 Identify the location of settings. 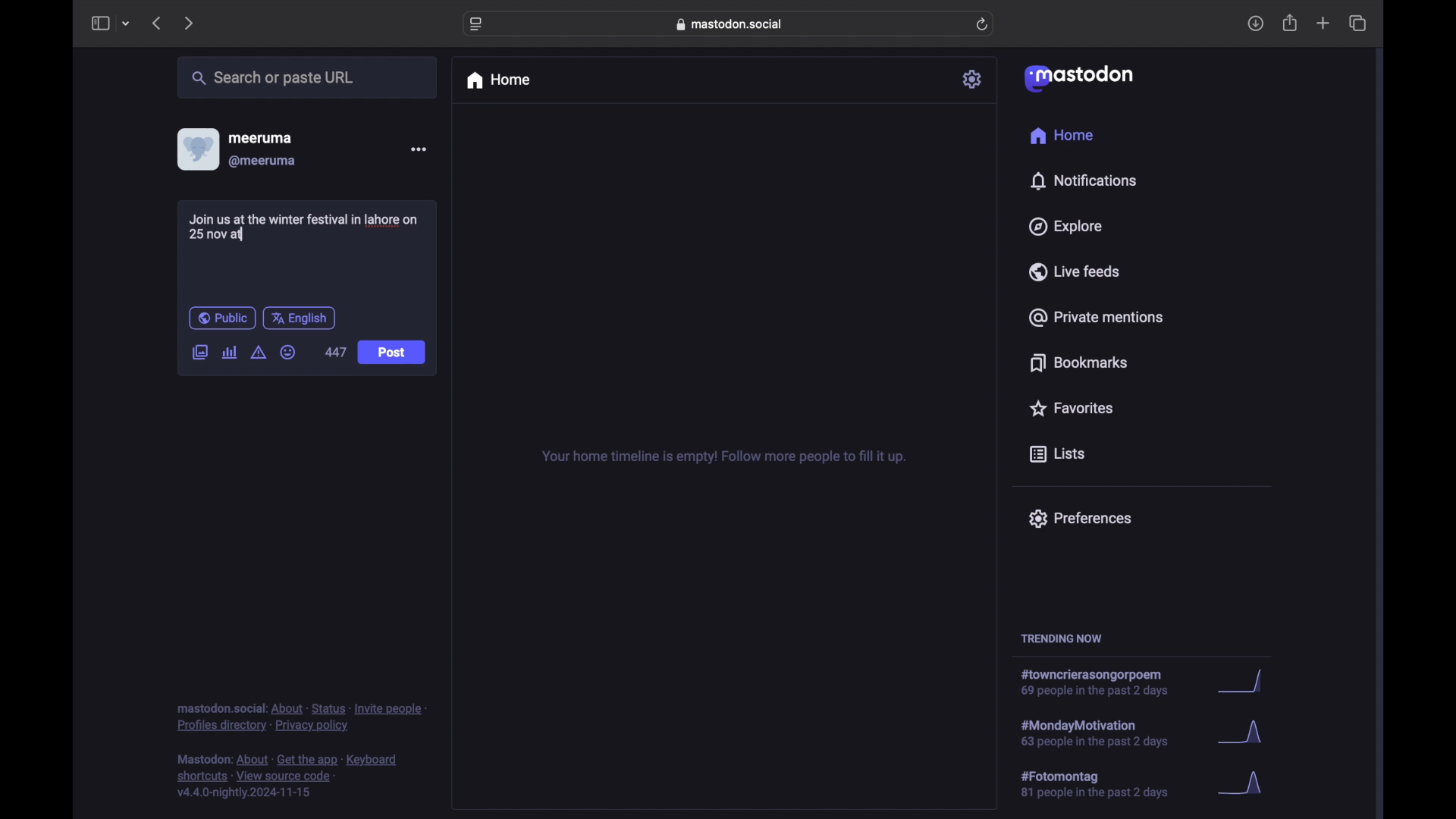
(974, 79).